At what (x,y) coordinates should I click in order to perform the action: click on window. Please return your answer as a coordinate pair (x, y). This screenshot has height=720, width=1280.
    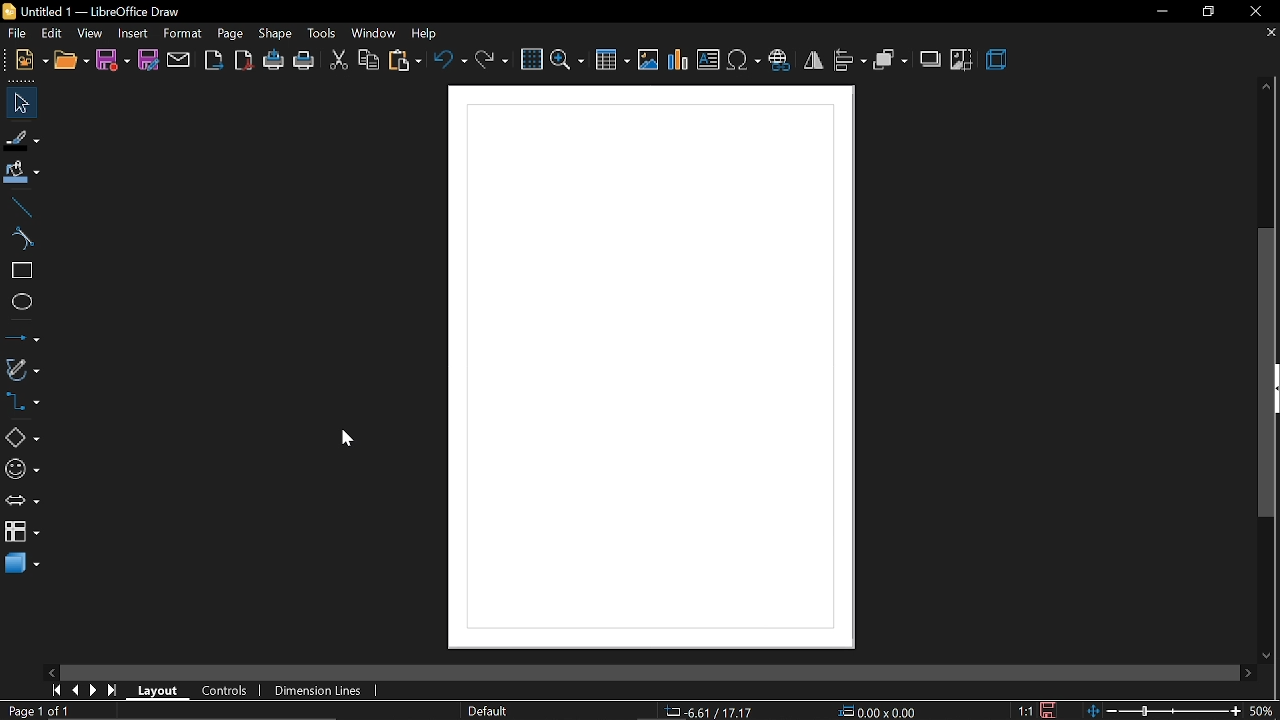
    Looking at the image, I should click on (372, 35).